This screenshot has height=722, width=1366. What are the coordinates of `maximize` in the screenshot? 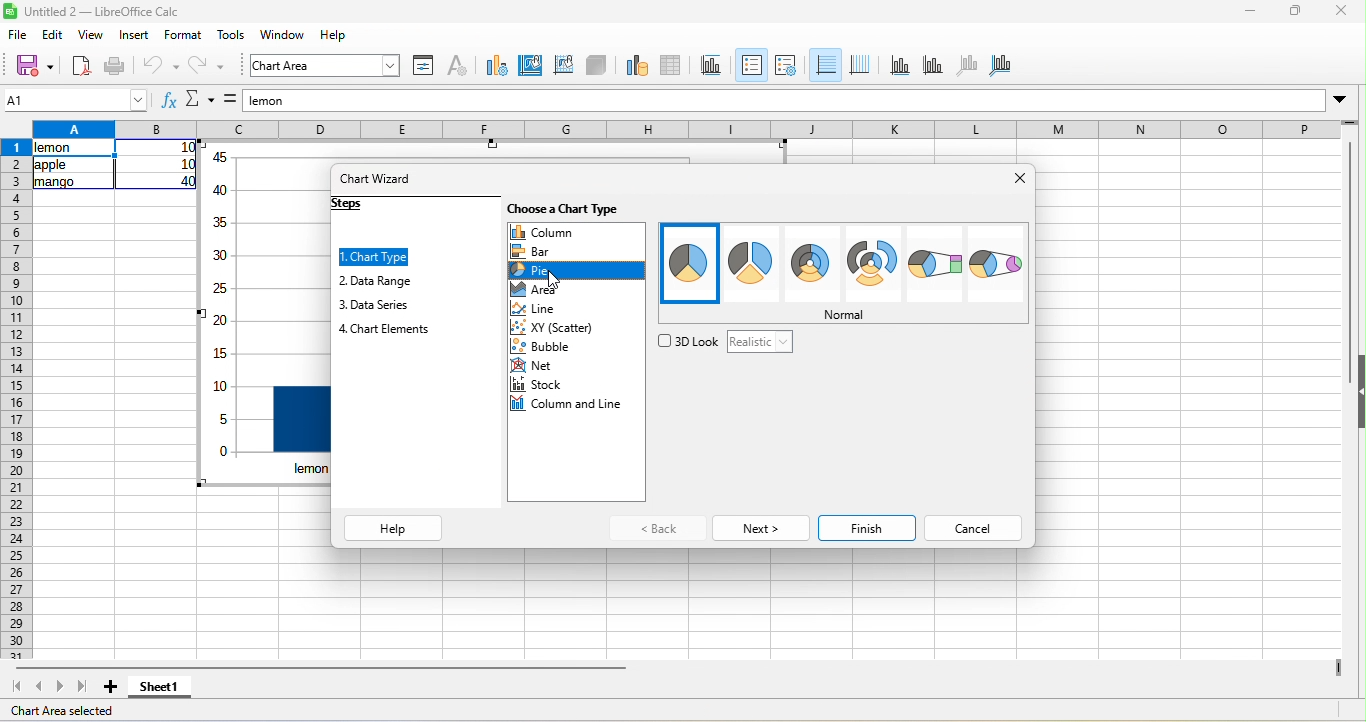 It's located at (1292, 12).